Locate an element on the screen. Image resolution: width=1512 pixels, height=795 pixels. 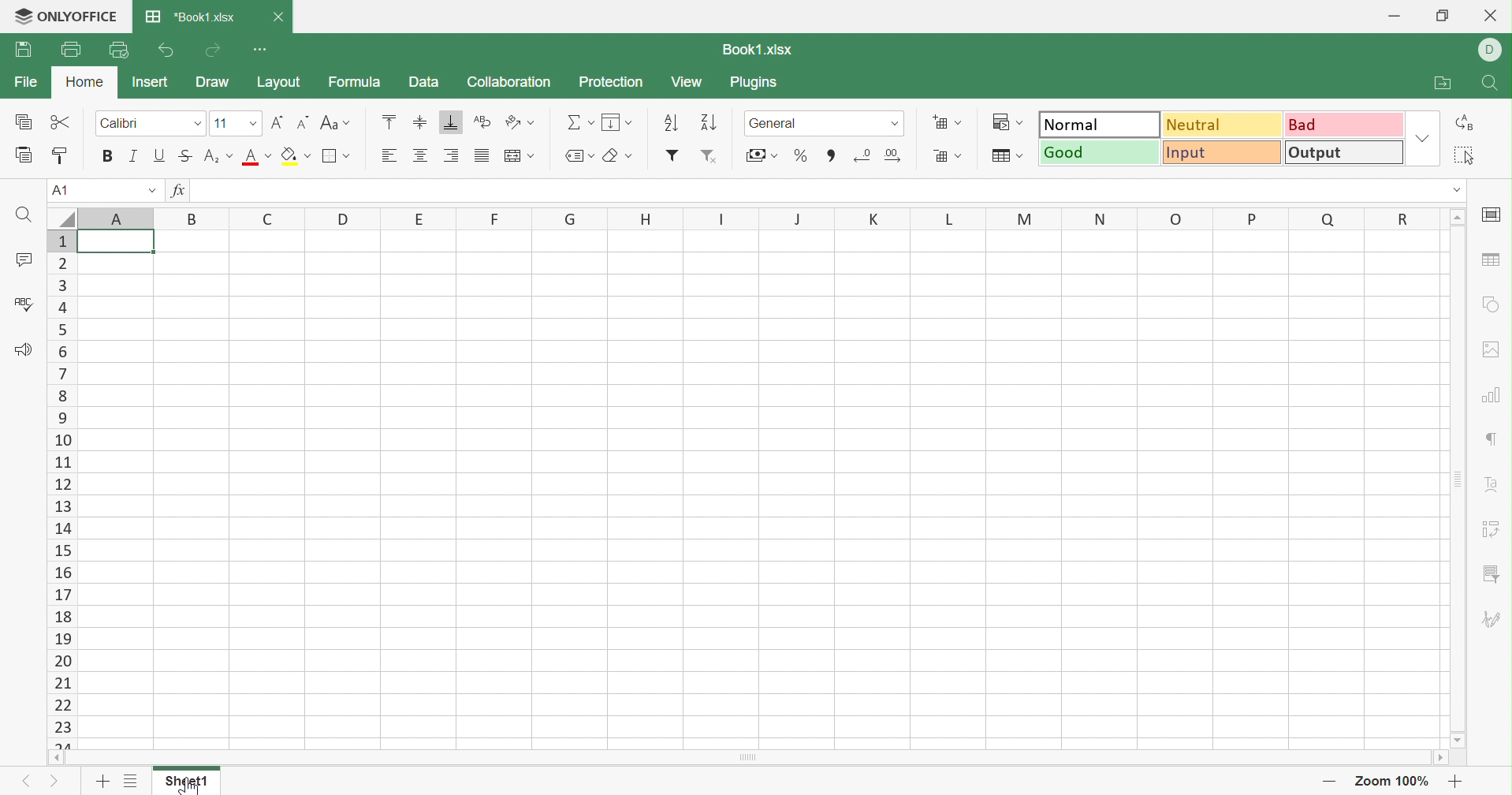
Merge and center is located at coordinates (519, 155).